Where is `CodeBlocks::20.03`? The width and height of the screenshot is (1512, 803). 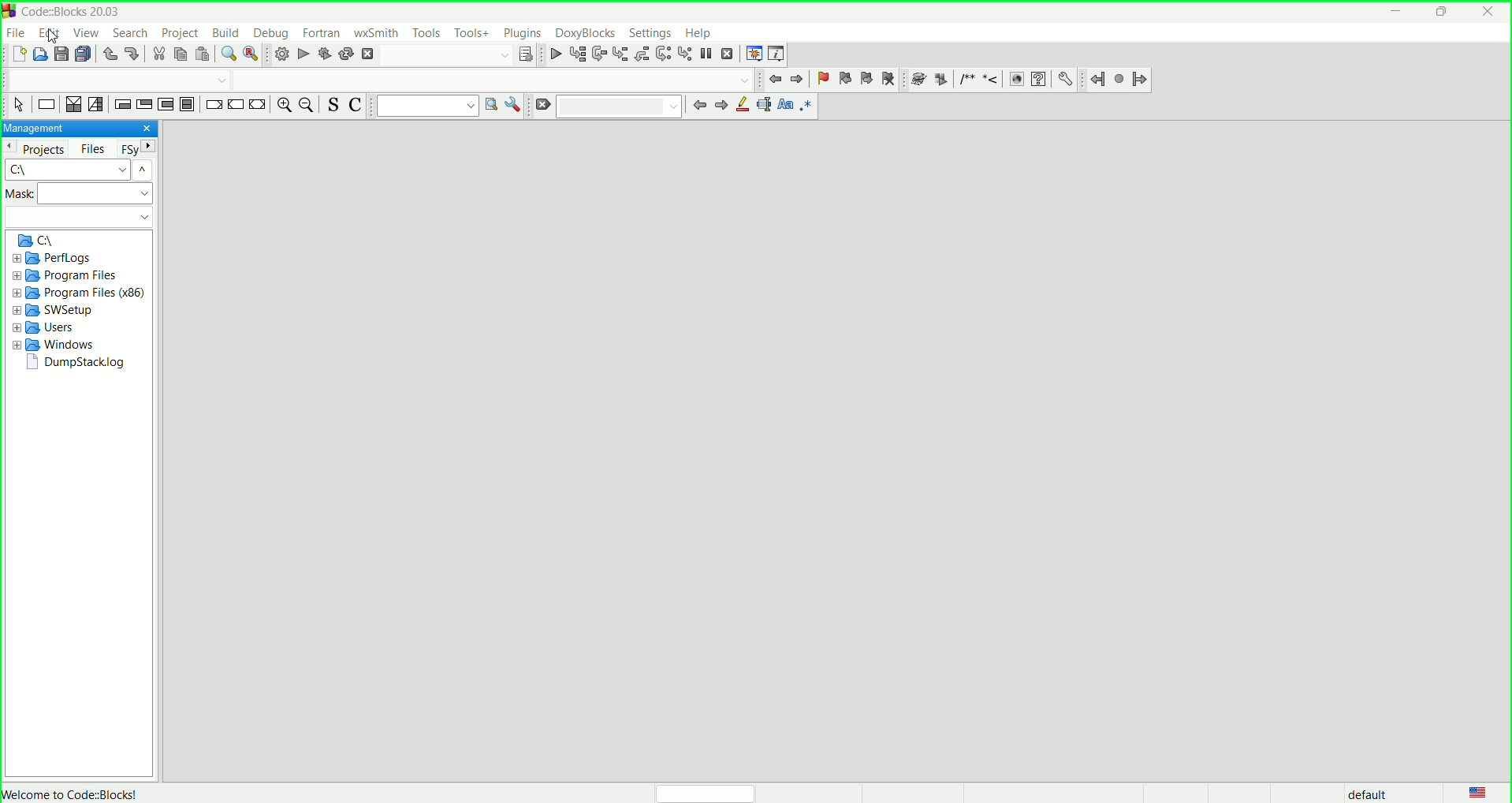 CodeBlocks::20.03 is located at coordinates (83, 12).